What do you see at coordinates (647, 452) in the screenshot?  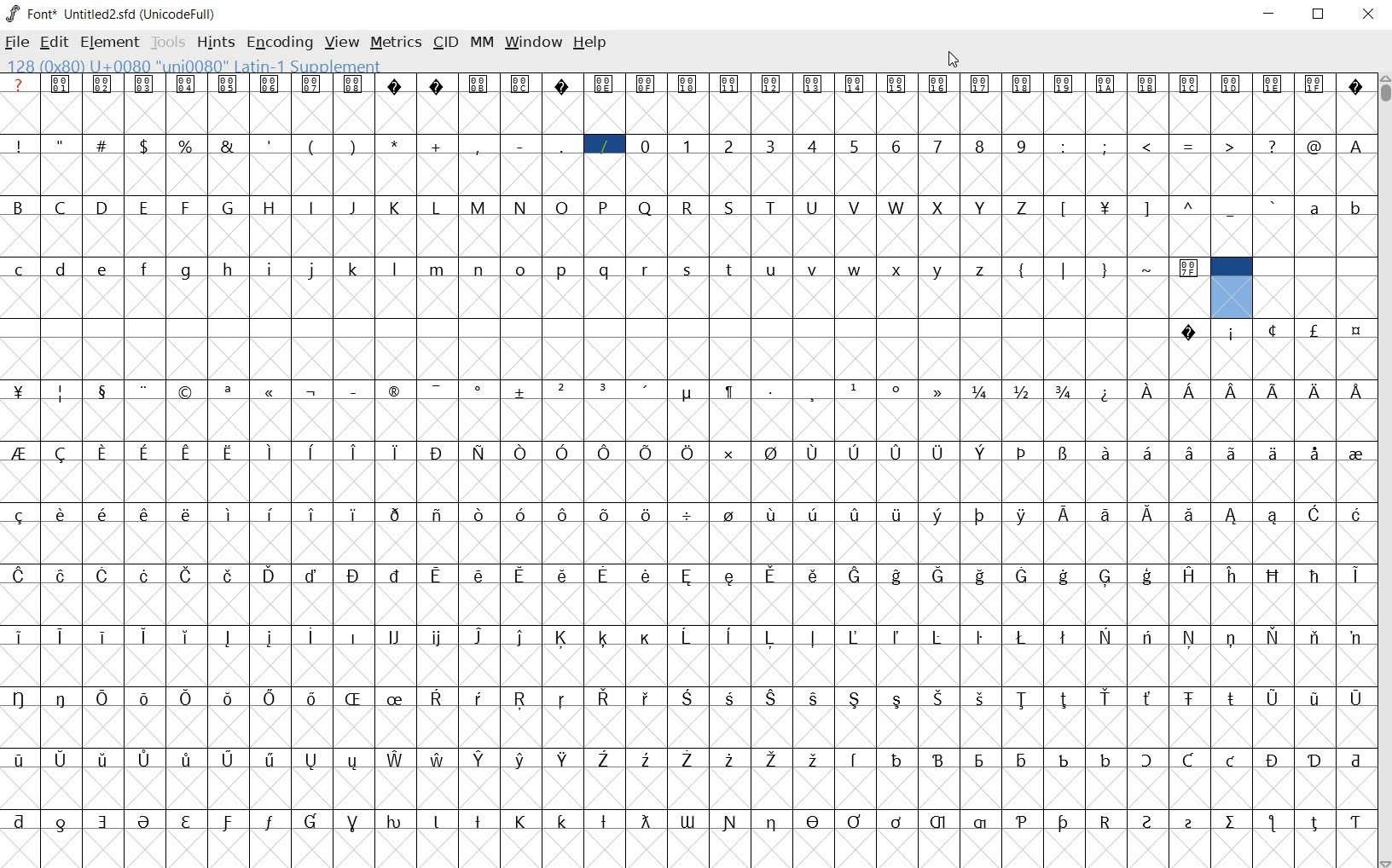 I see `Symbol` at bounding box center [647, 452].